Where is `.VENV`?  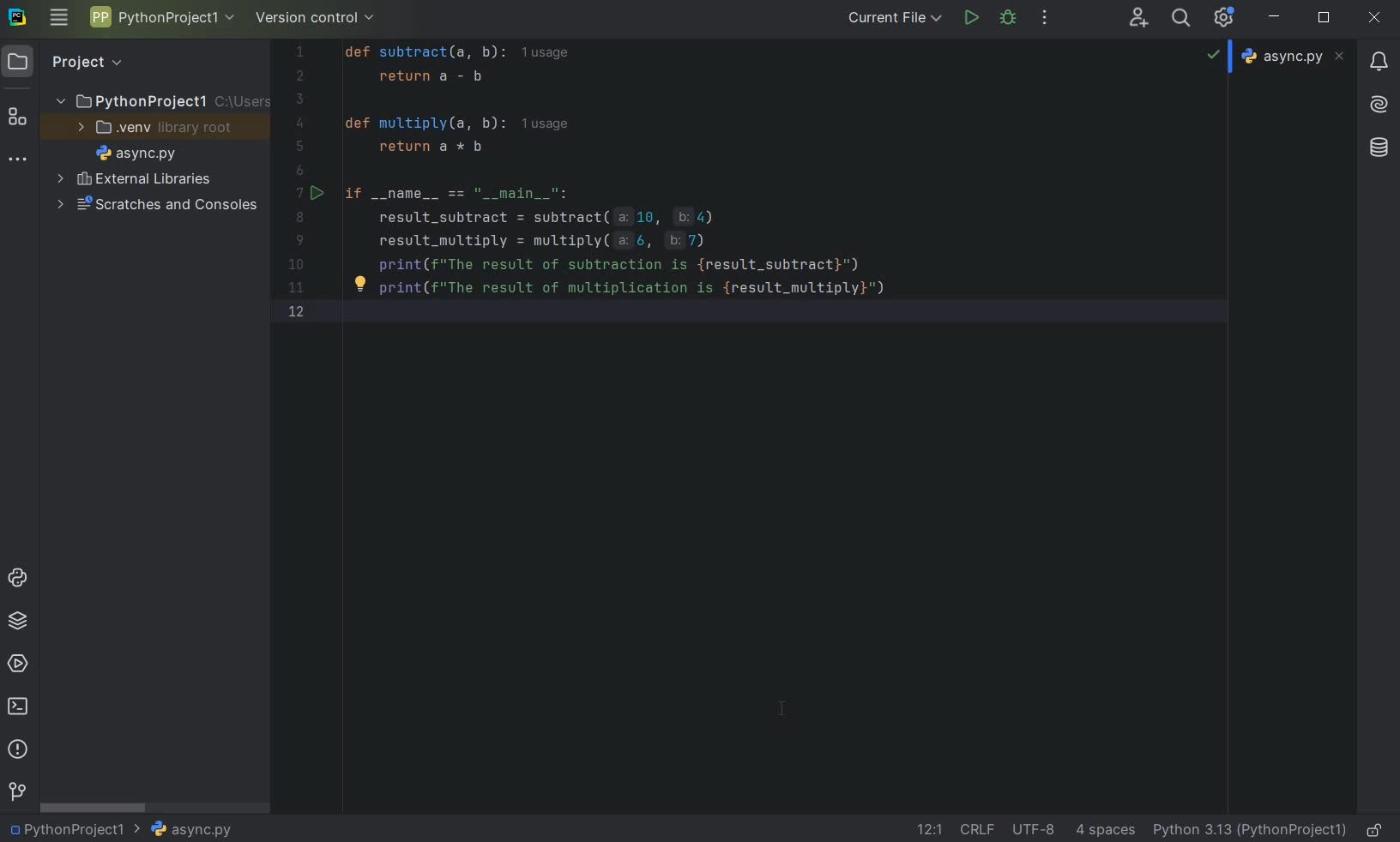 .VENV is located at coordinates (155, 128).